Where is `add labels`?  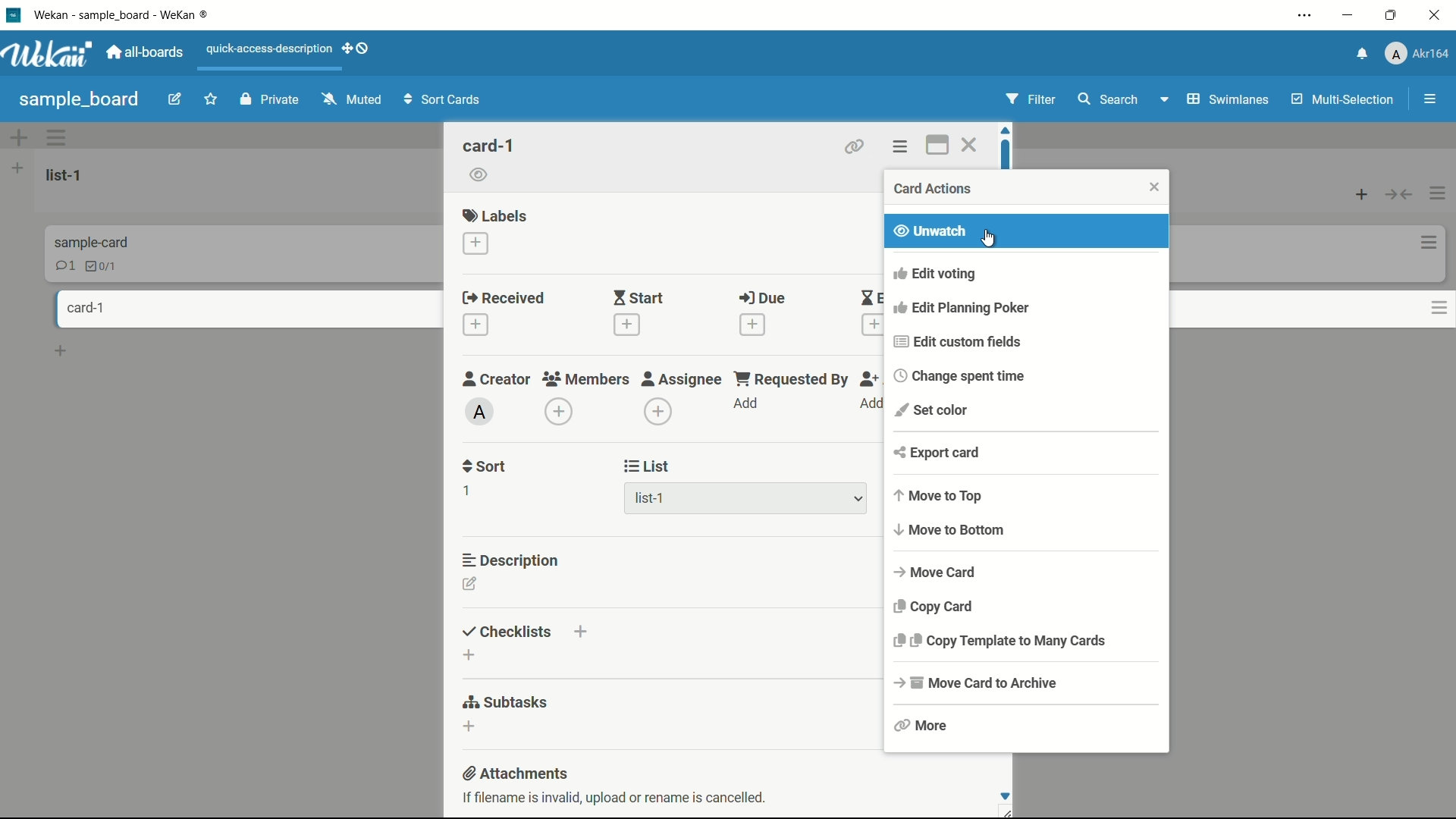 add labels is located at coordinates (475, 243).